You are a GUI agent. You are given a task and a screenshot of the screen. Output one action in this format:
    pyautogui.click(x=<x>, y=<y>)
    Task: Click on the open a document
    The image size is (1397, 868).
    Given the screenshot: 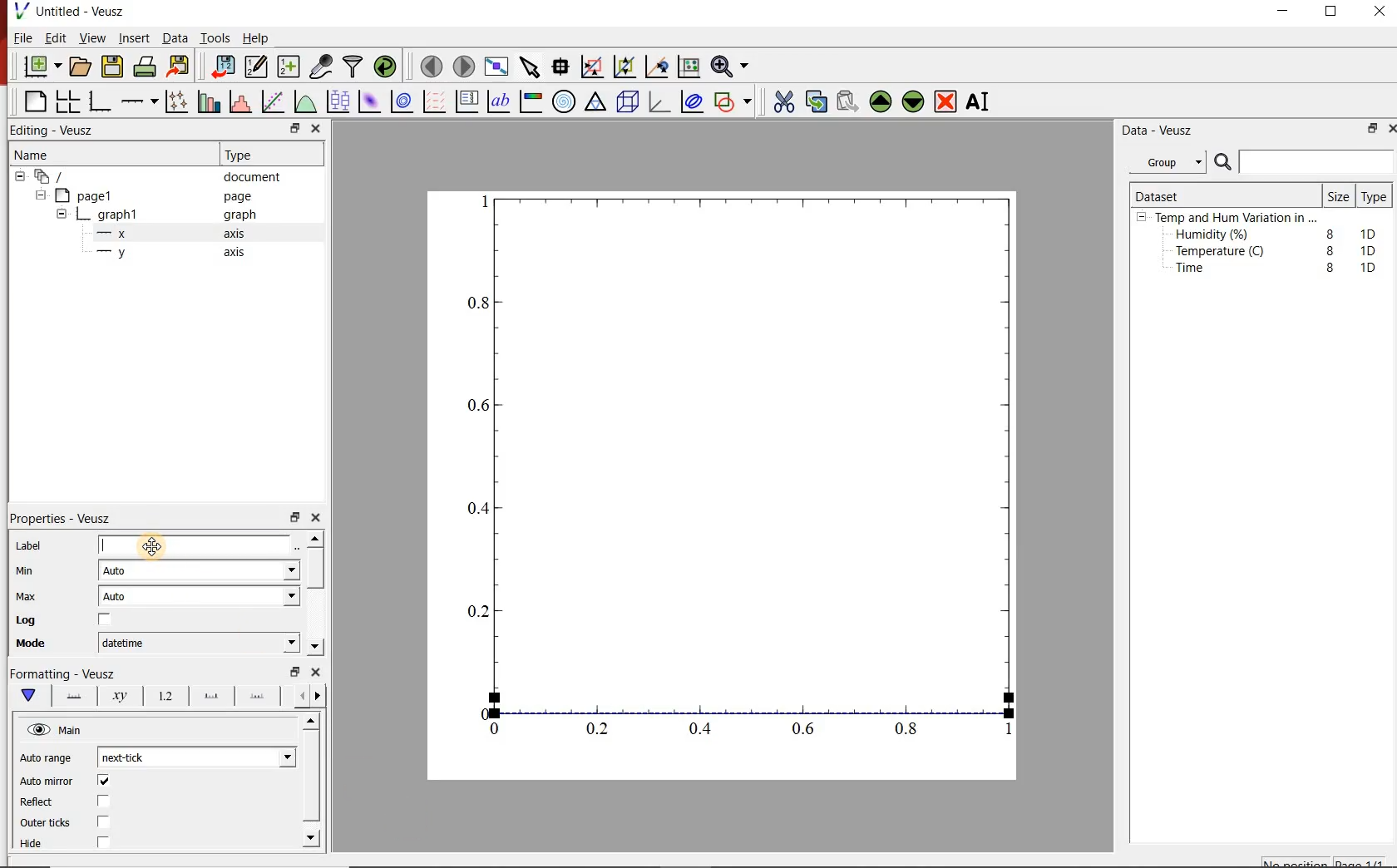 What is the action you would take?
    pyautogui.click(x=81, y=67)
    